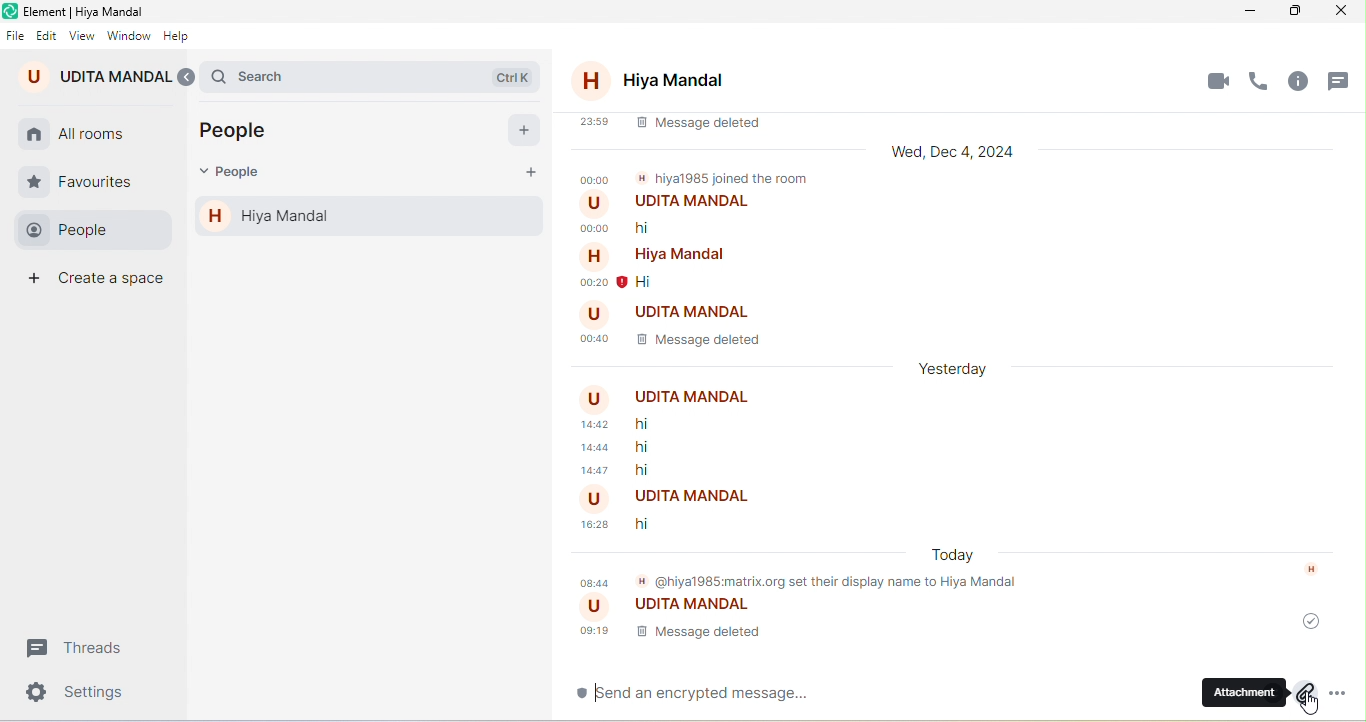  Describe the element at coordinates (1300, 11) in the screenshot. I see `maximize` at that location.